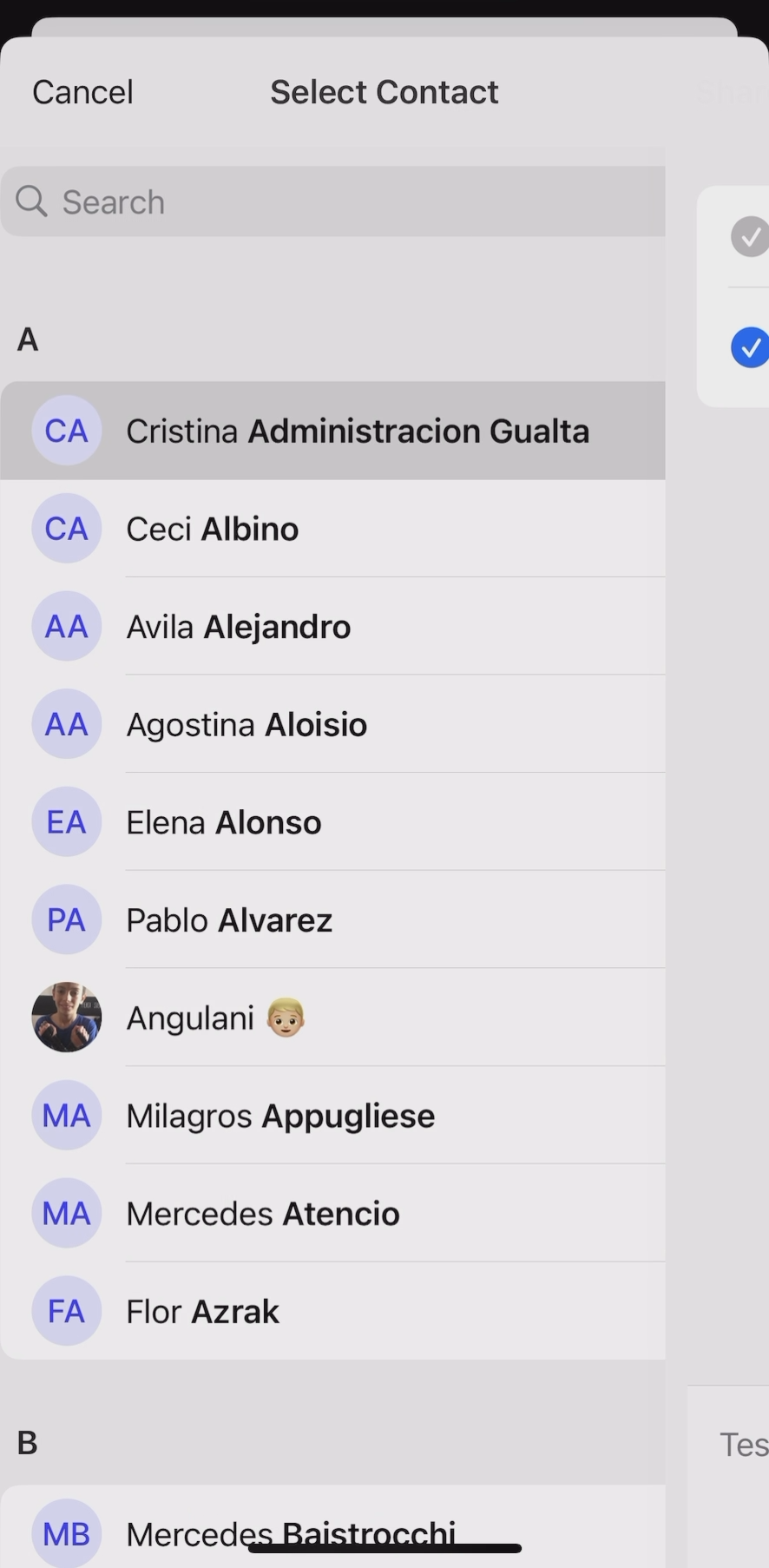  Describe the element at coordinates (319, 432) in the screenshot. I see `Cristina Administracion Gualta` at that location.